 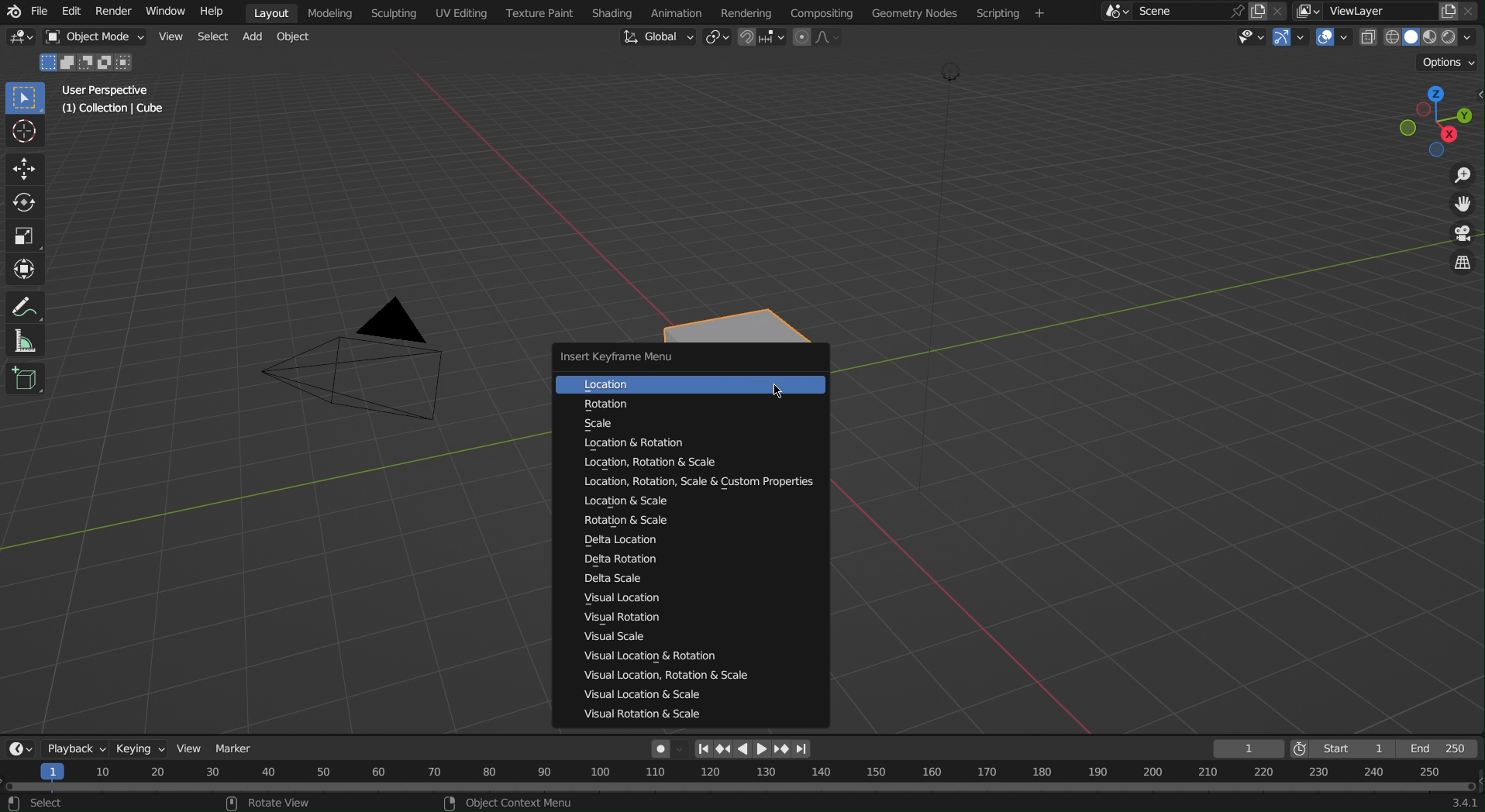 I want to click on Insert Keyframe Menu, so click(x=629, y=356).